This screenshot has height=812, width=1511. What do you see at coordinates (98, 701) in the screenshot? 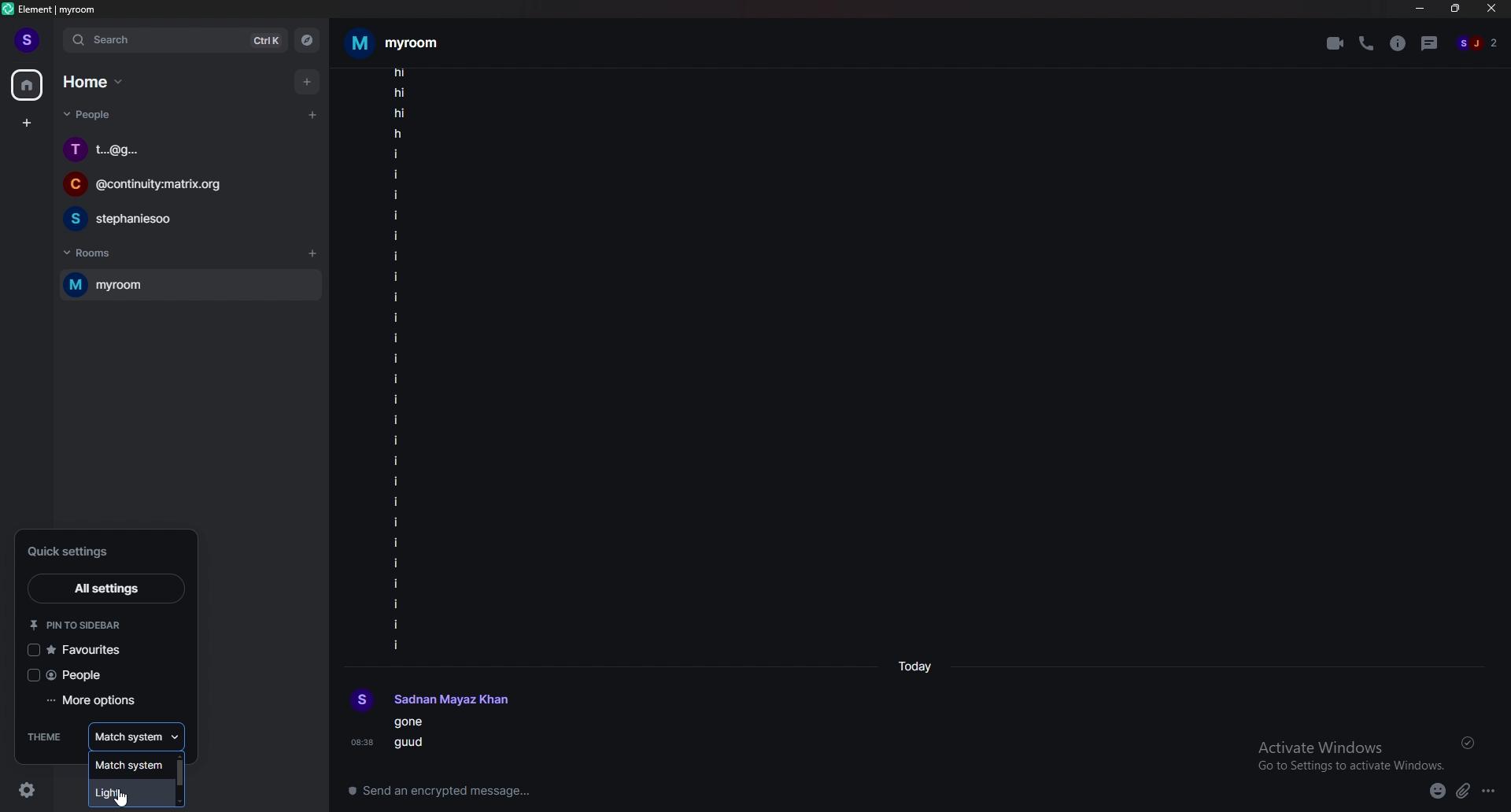
I see `more options` at bounding box center [98, 701].